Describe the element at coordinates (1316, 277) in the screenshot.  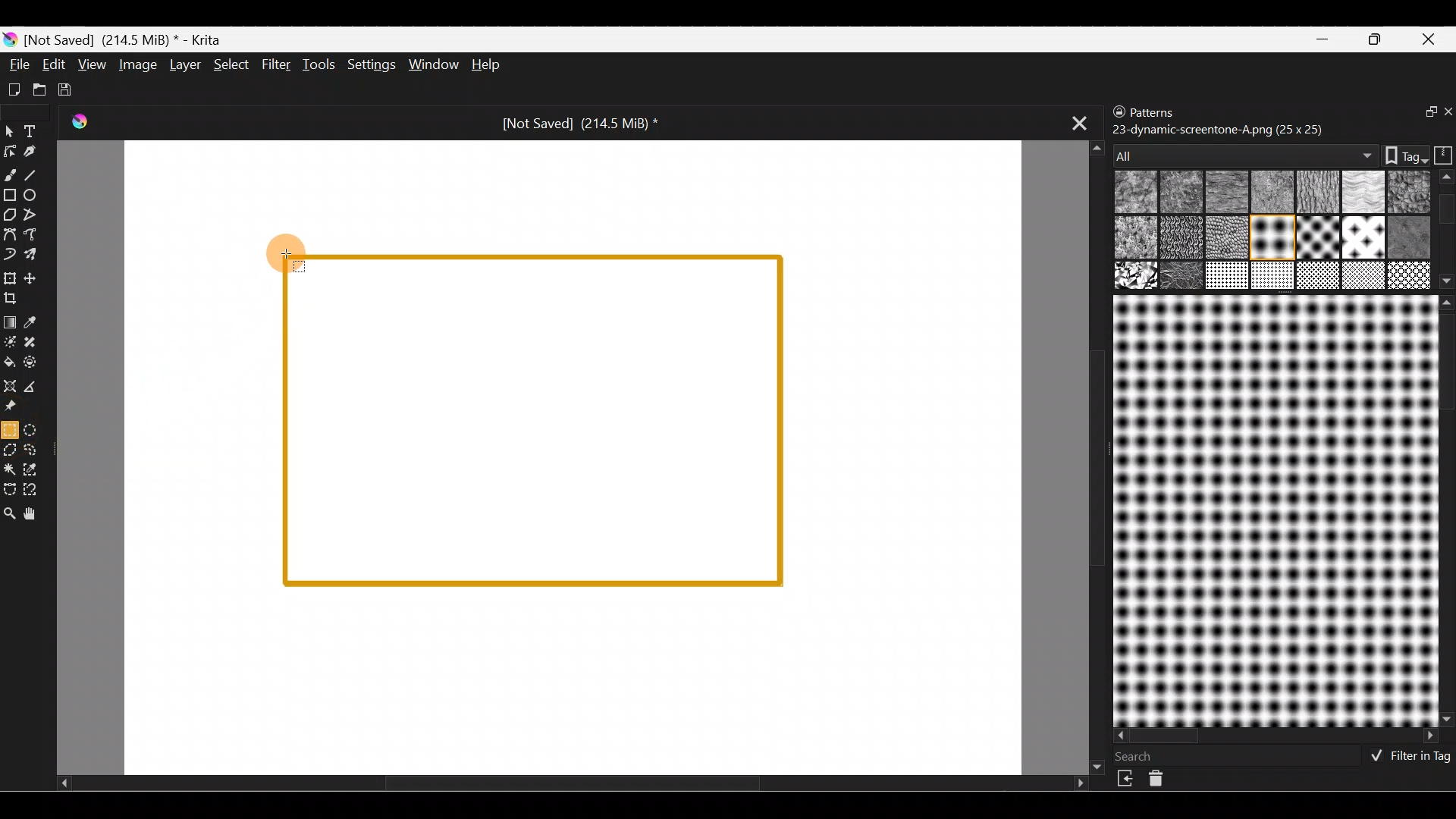
I see `18 texture_bark.png` at that location.